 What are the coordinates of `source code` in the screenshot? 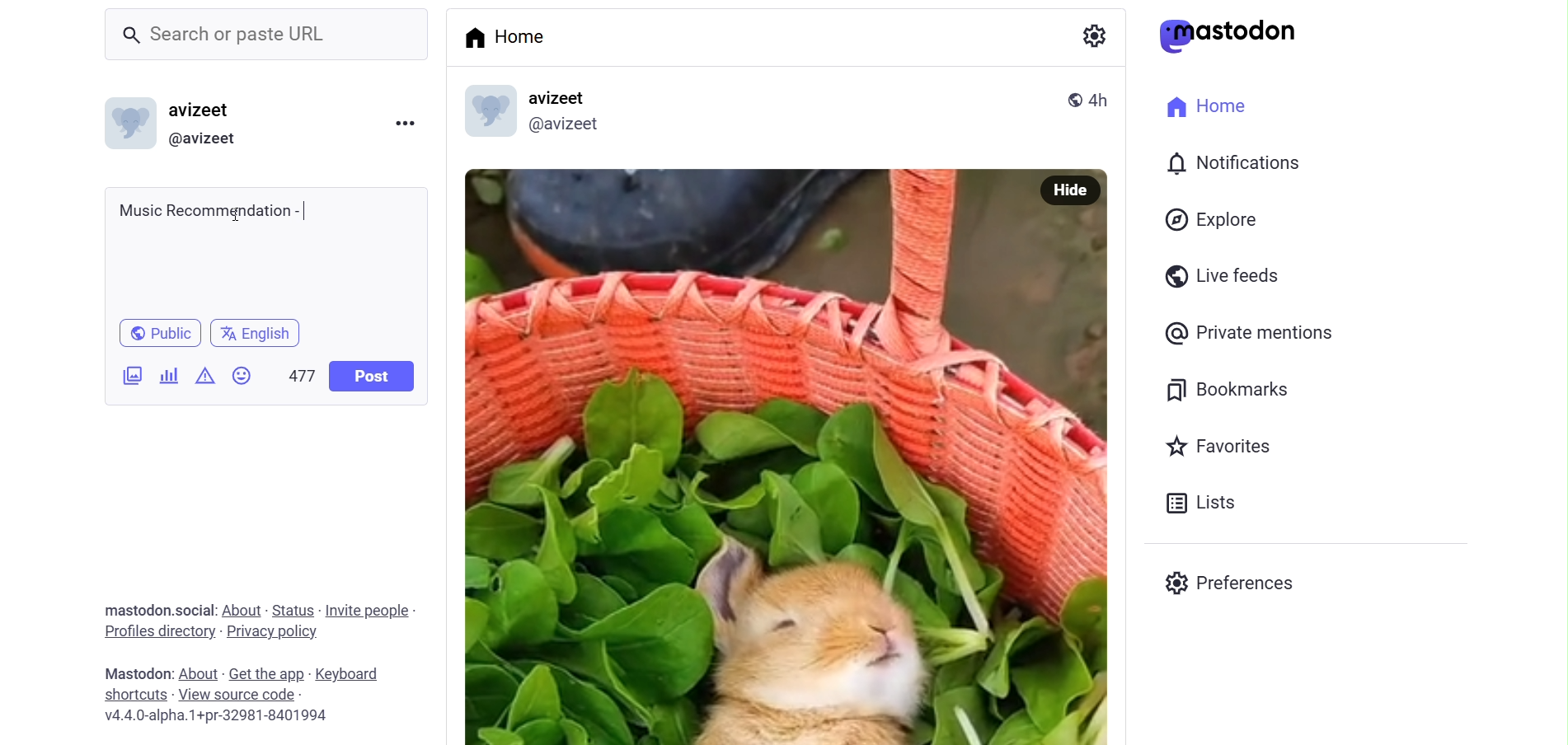 It's located at (246, 693).